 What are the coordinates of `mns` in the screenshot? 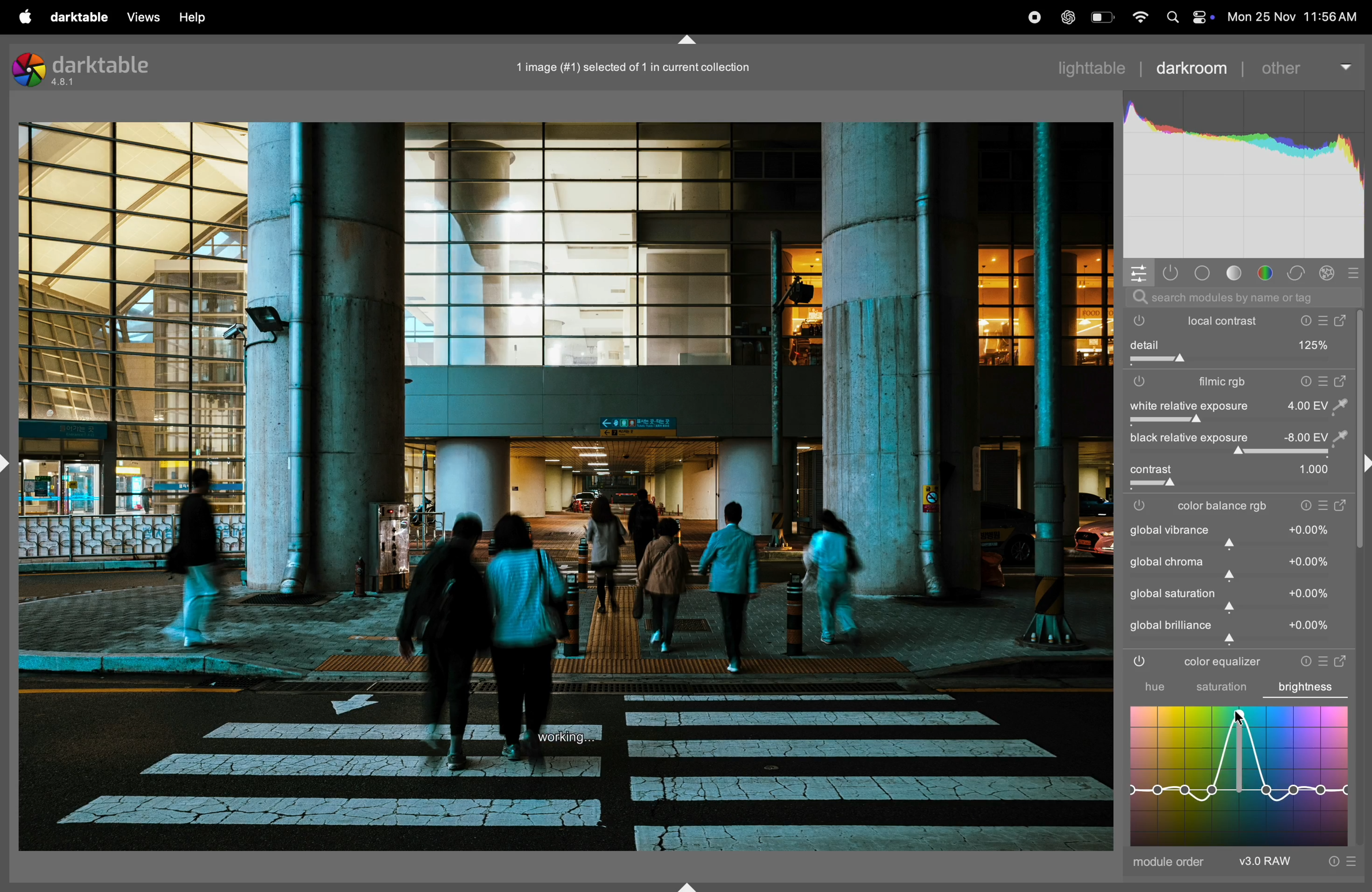 It's located at (1243, 175).